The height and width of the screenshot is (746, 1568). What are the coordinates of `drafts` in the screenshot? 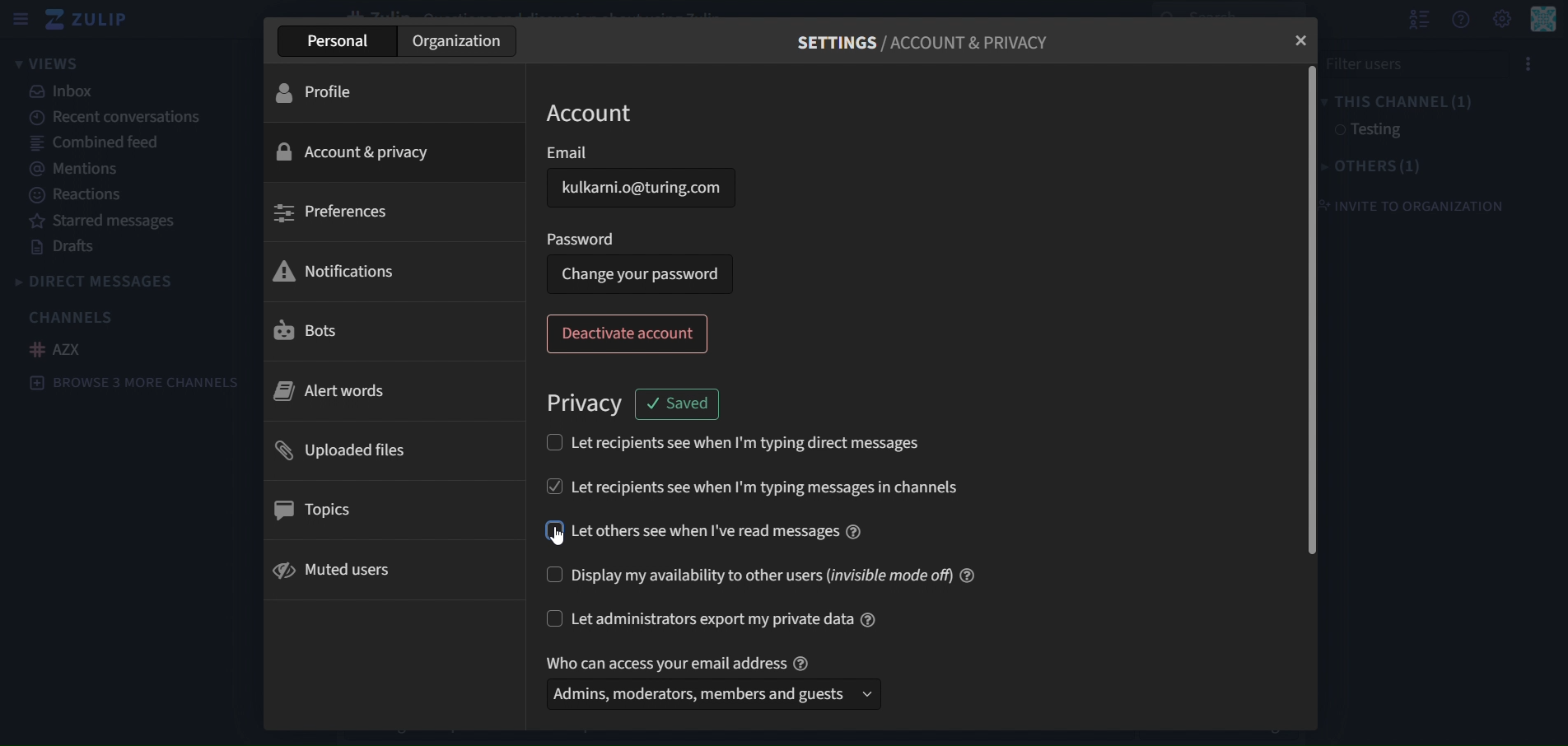 It's located at (61, 247).